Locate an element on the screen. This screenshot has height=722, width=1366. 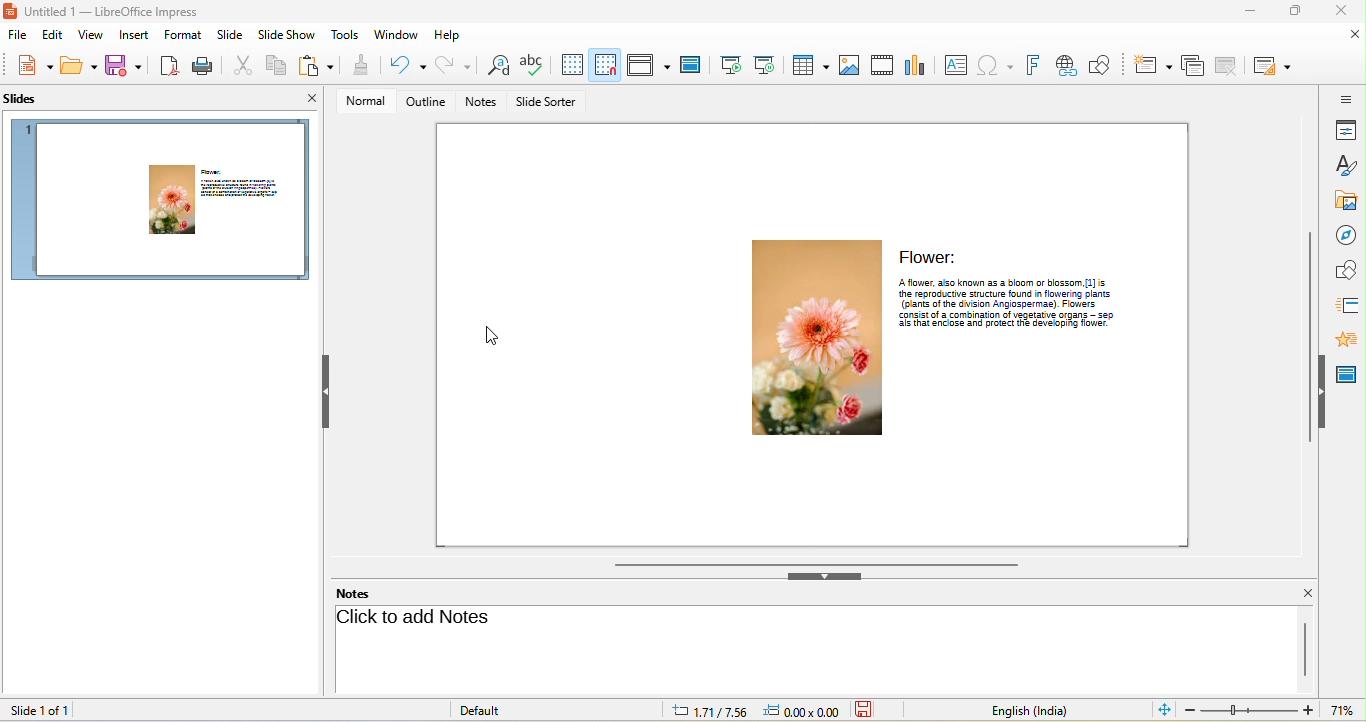
1.71/7.56 is located at coordinates (708, 711).